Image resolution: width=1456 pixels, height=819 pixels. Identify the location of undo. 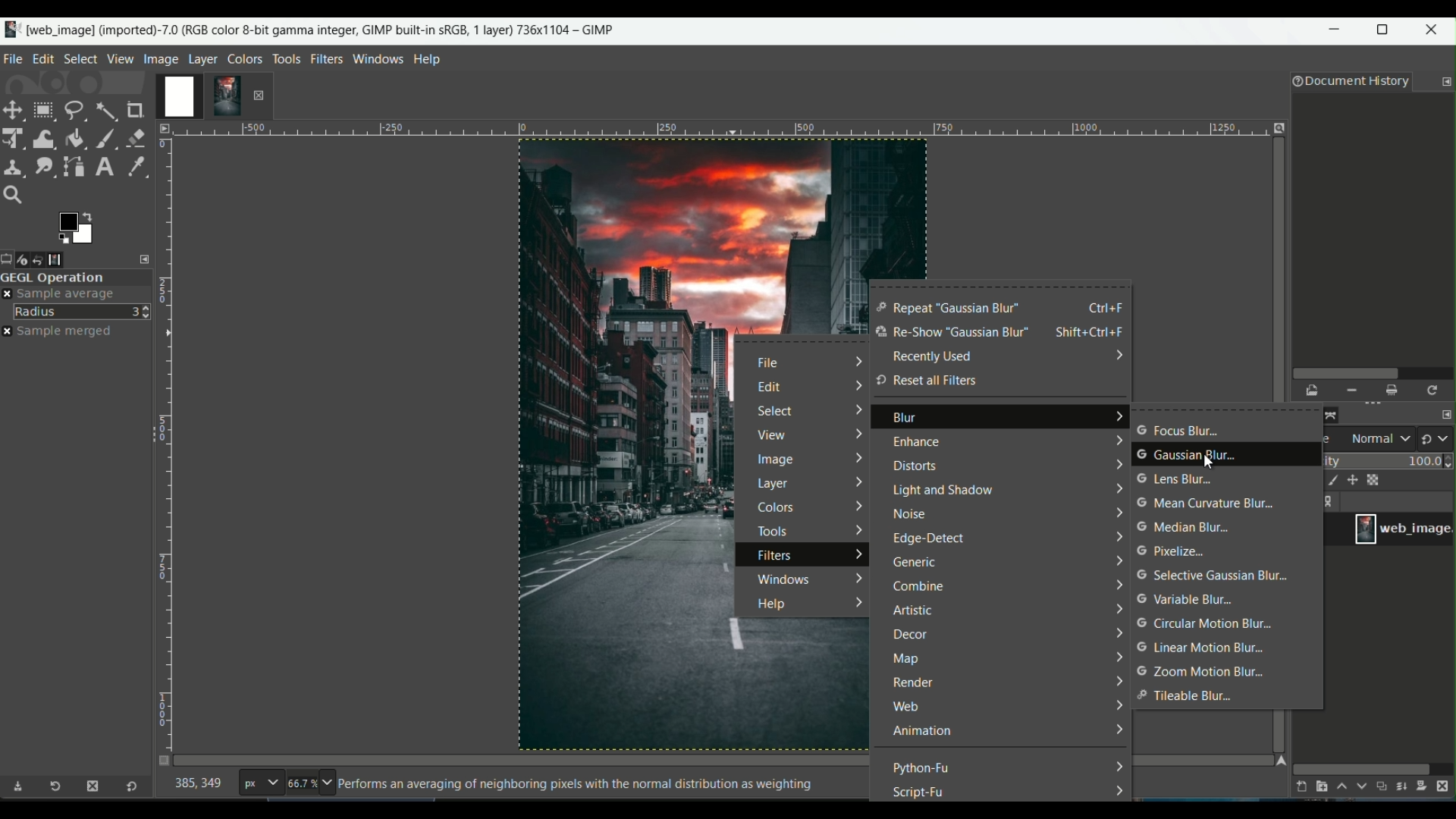
(47, 259).